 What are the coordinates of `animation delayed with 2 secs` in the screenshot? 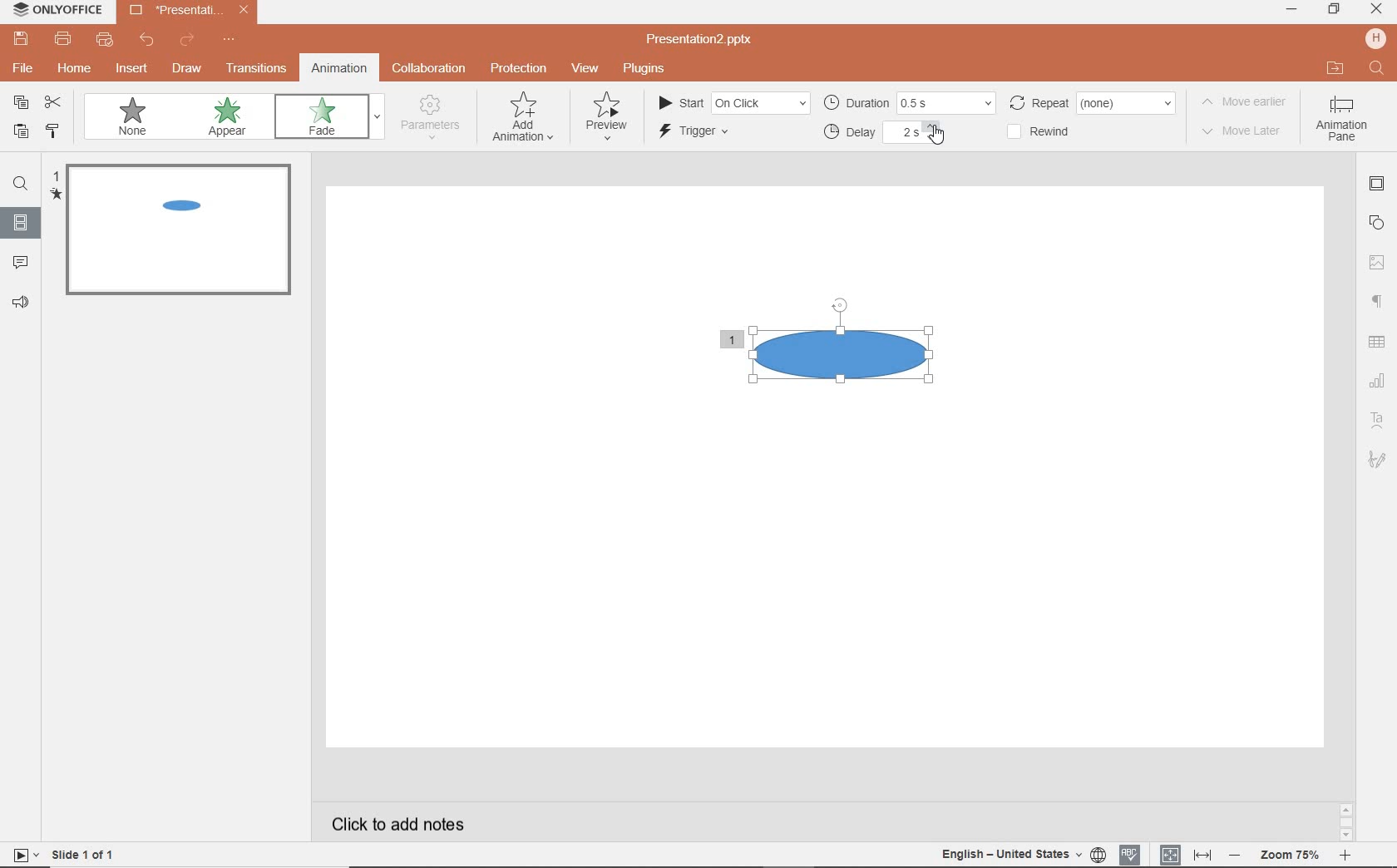 It's located at (911, 133).